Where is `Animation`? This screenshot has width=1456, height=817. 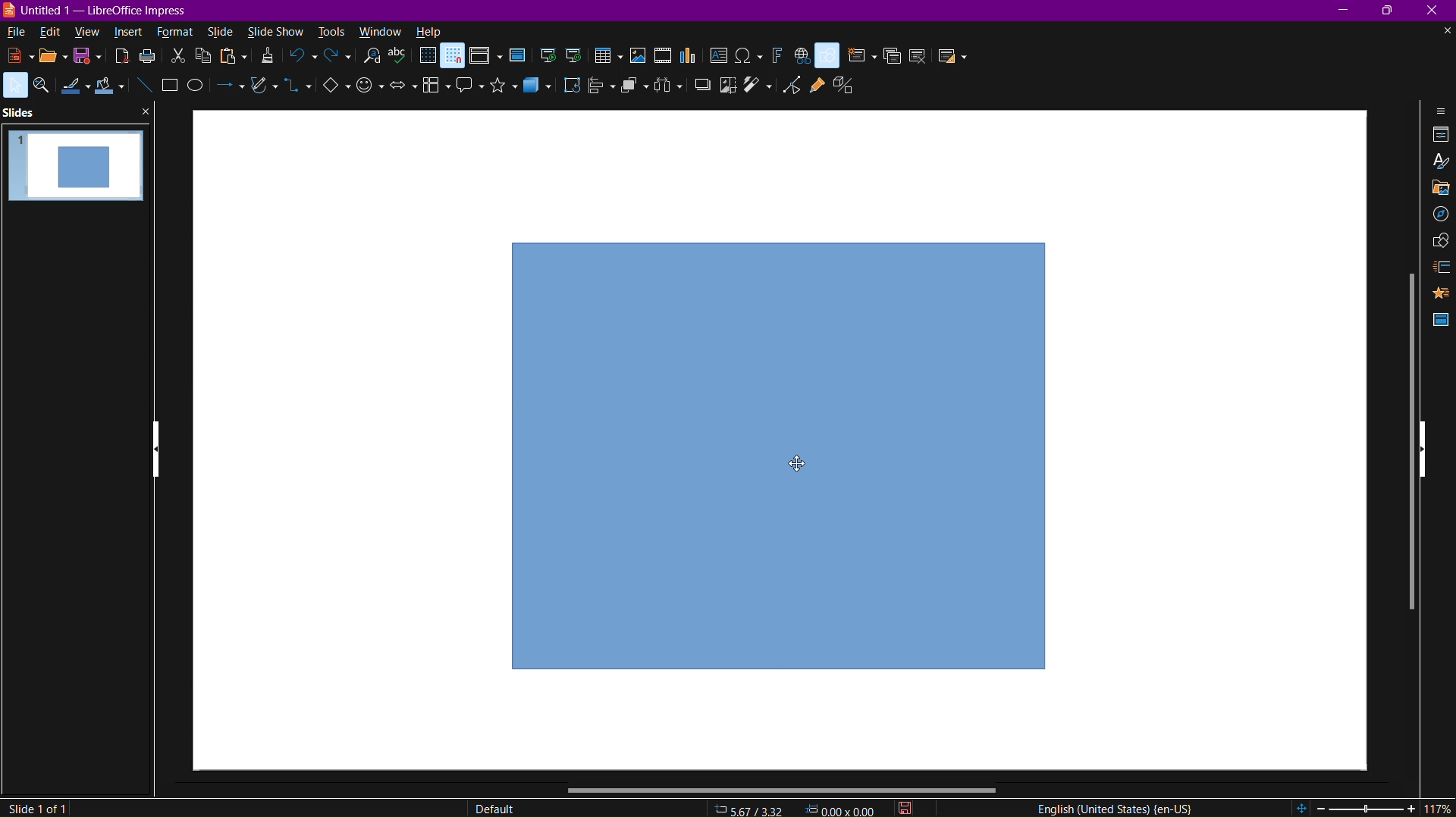
Animation is located at coordinates (1441, 293).